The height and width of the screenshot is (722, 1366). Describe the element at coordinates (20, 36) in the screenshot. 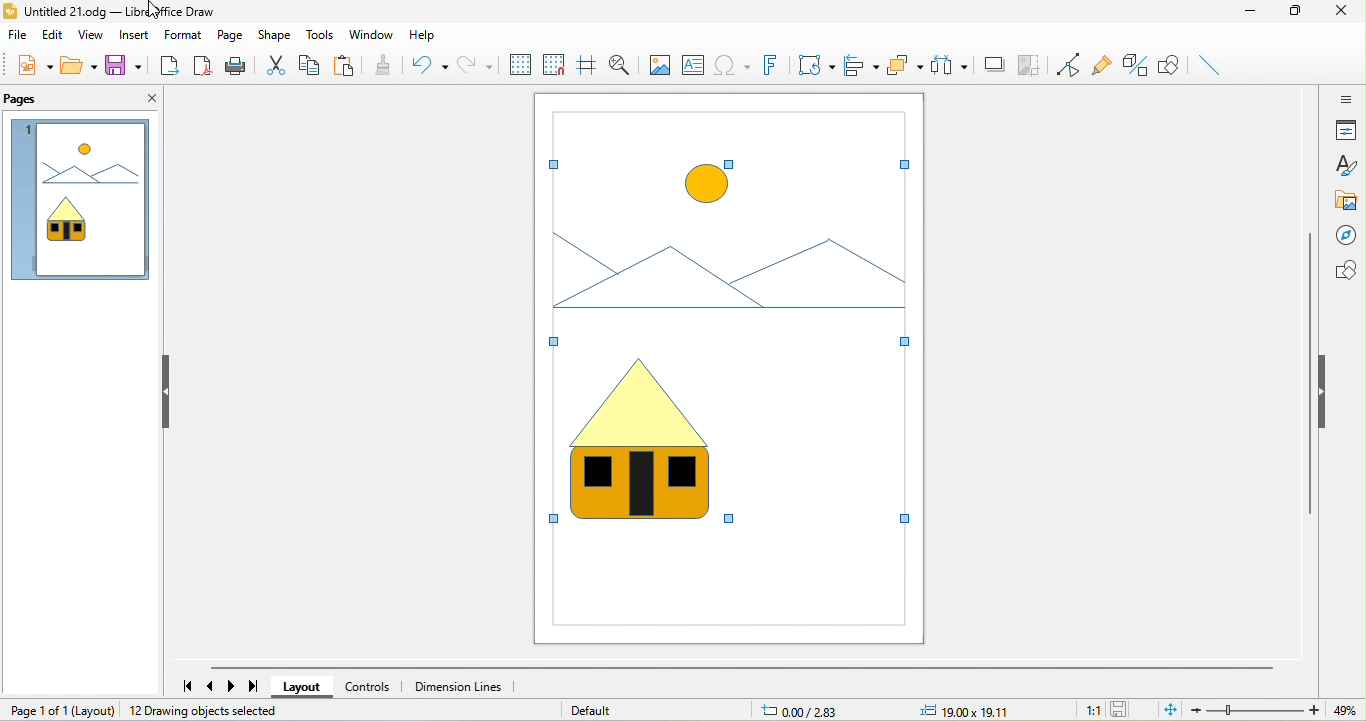

I see `file` at that location.